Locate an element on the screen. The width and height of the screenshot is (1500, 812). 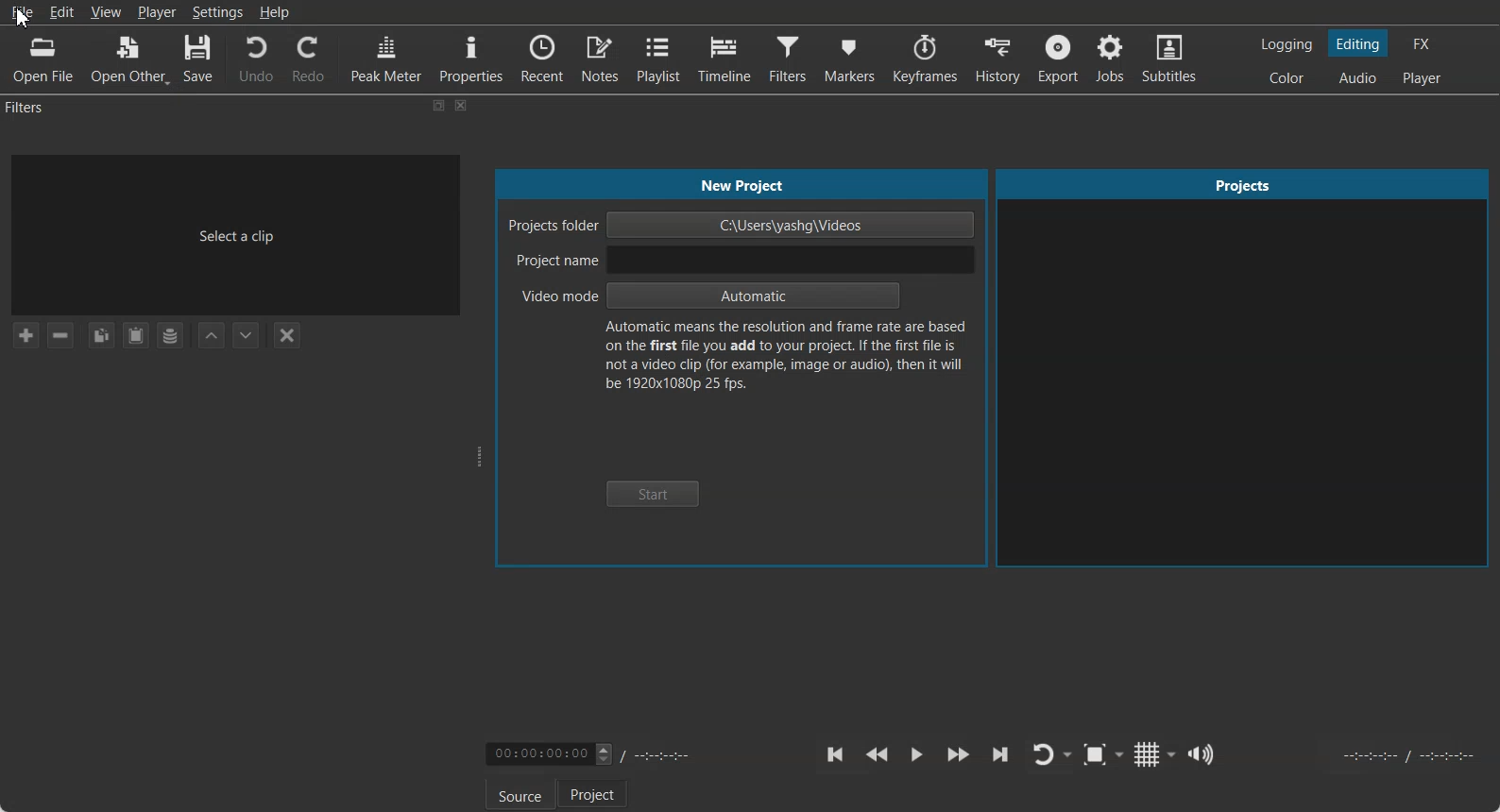
Deselect the filter is located at coordinates (288, 335).